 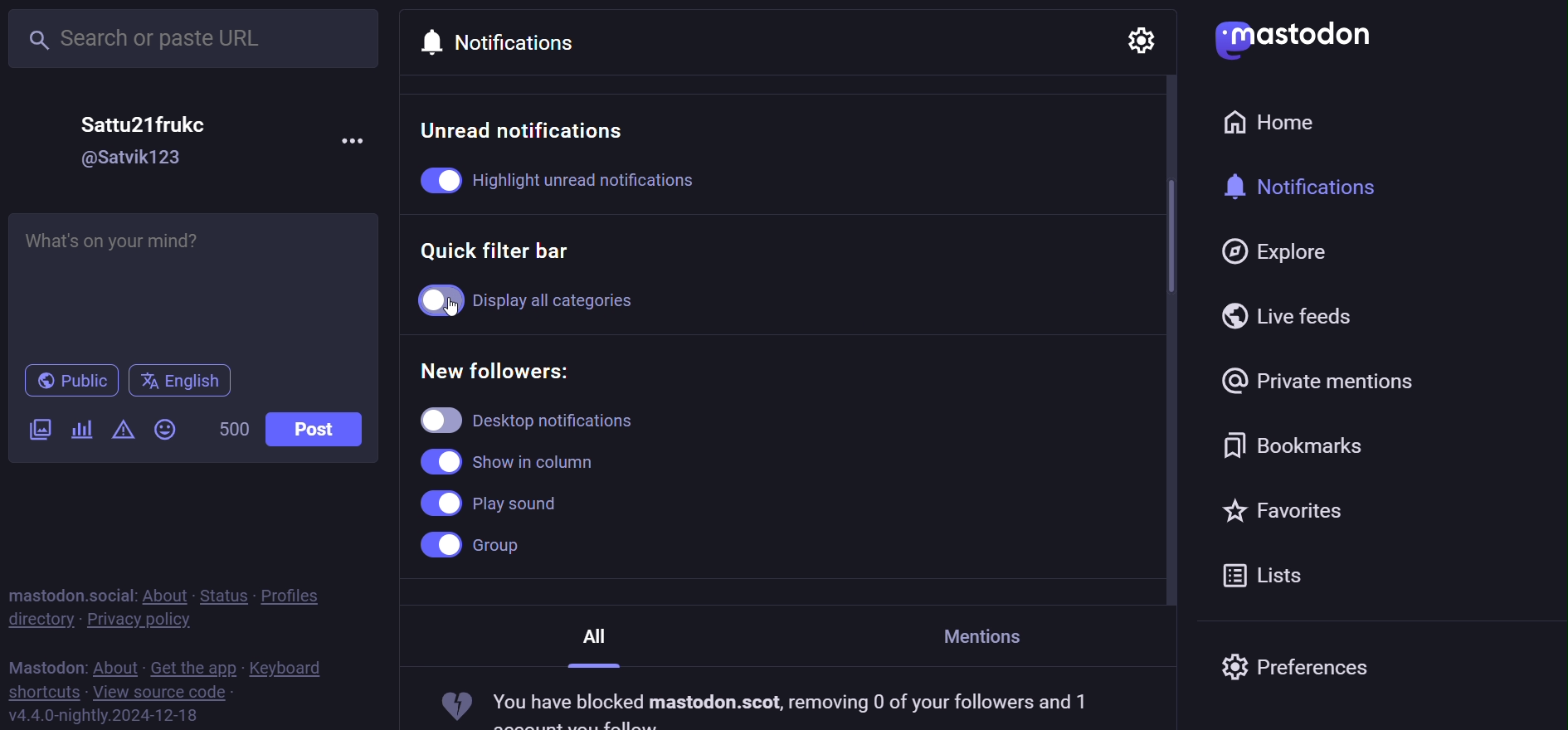 I want to click on play sound, so click(x=493, y=504).